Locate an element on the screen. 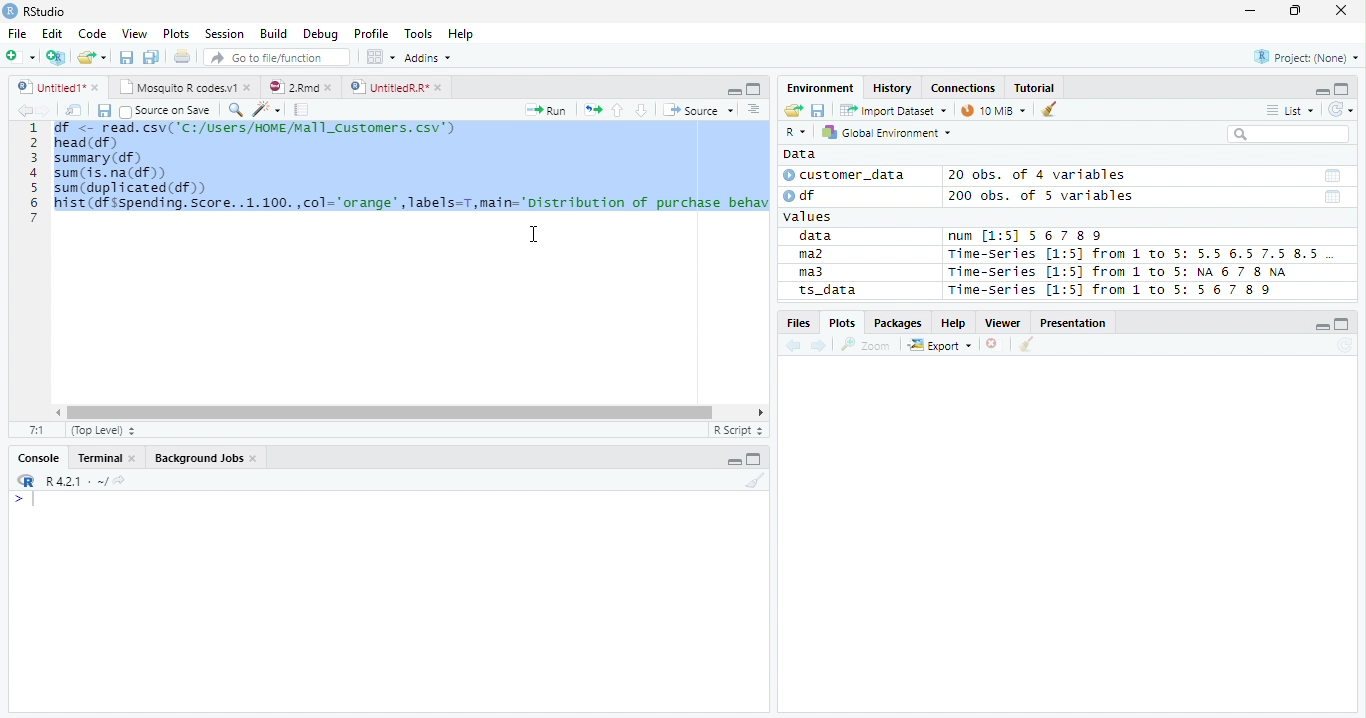  Delete is located at coordinates (995, 345).